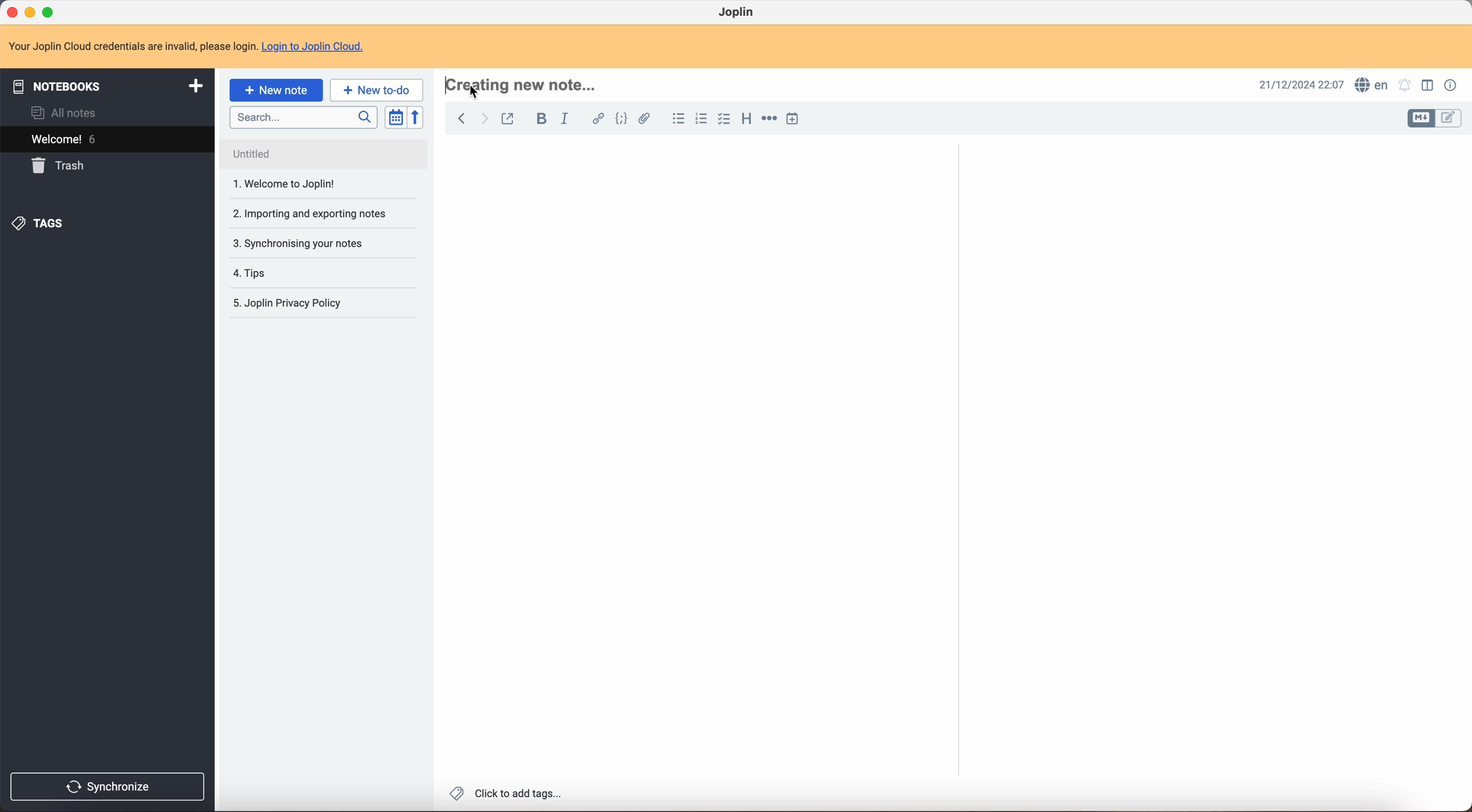 This screenshot has height=812, width=1472. What do you see at coordinates (702, 118) in the screenshot?
I see `numbered list` at bounding box center [702, 118].